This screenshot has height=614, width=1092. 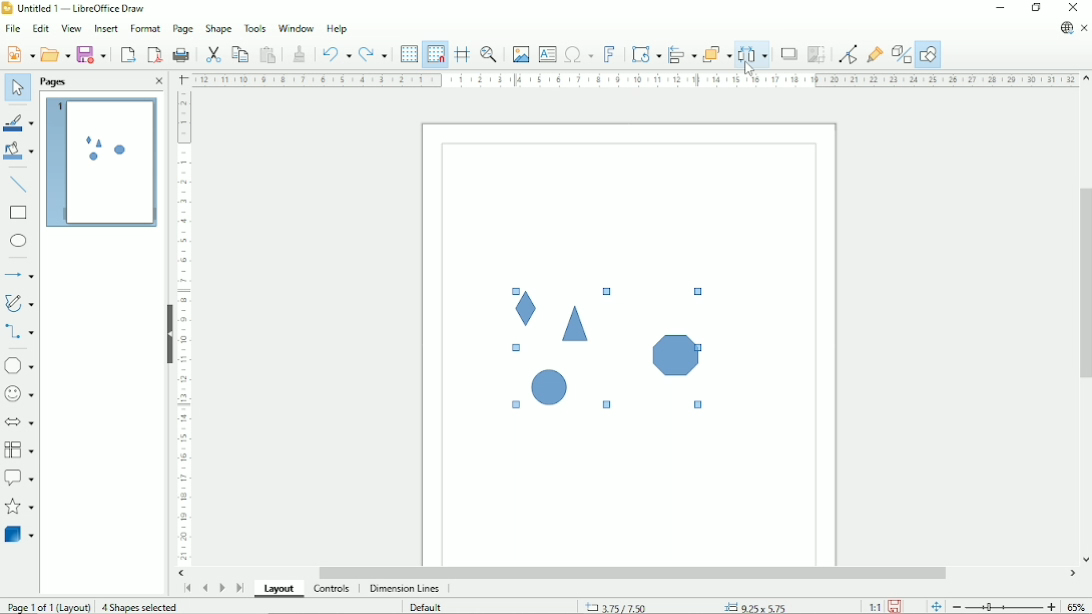 I want to click on Copy, so click(x=239, y=53).